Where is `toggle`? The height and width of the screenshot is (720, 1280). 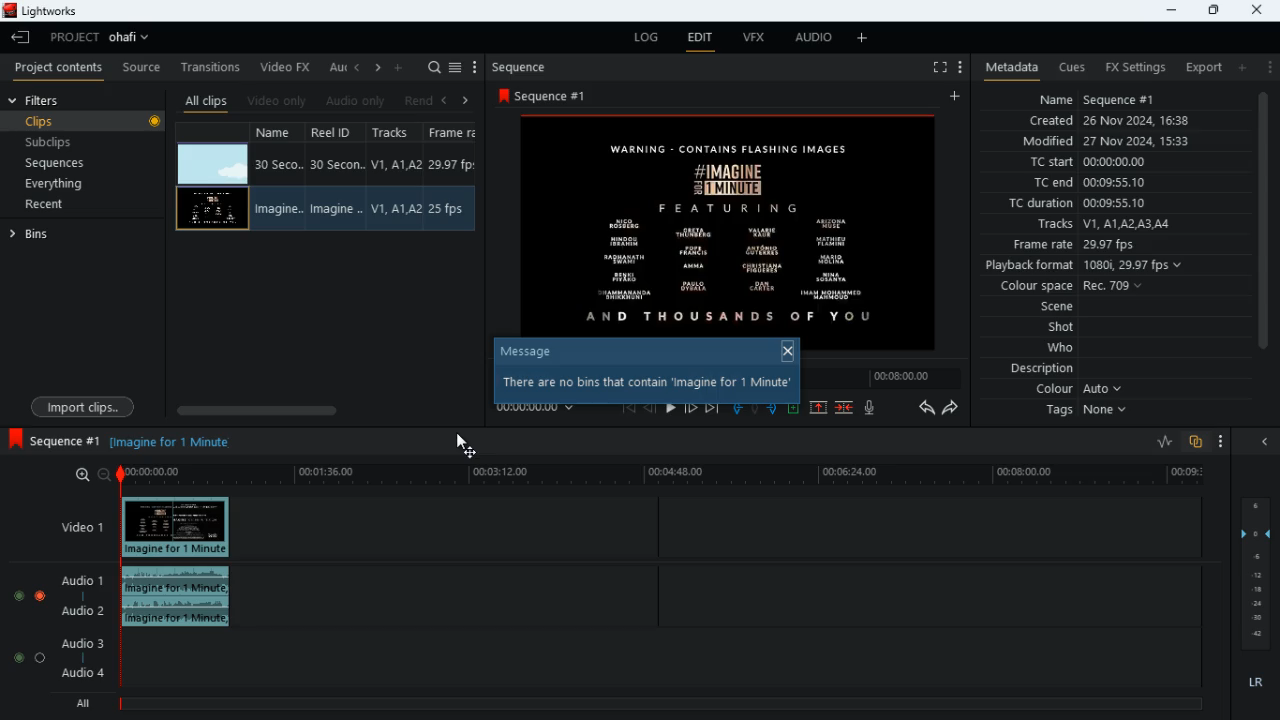 toggle is located at coordinates (18, 657).